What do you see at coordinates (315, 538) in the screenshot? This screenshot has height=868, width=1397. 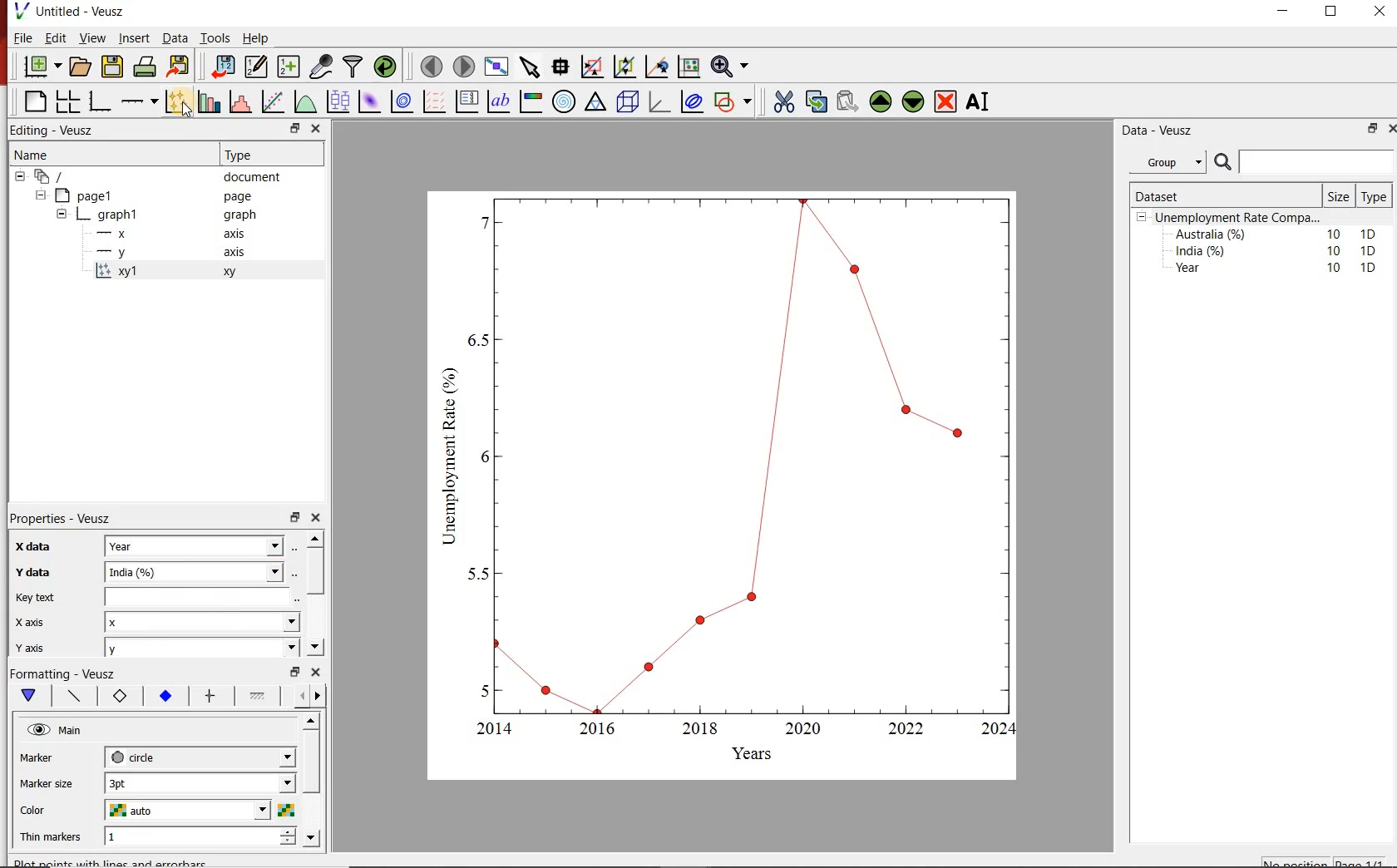 I see `move up` at bounding box center [315, 538].